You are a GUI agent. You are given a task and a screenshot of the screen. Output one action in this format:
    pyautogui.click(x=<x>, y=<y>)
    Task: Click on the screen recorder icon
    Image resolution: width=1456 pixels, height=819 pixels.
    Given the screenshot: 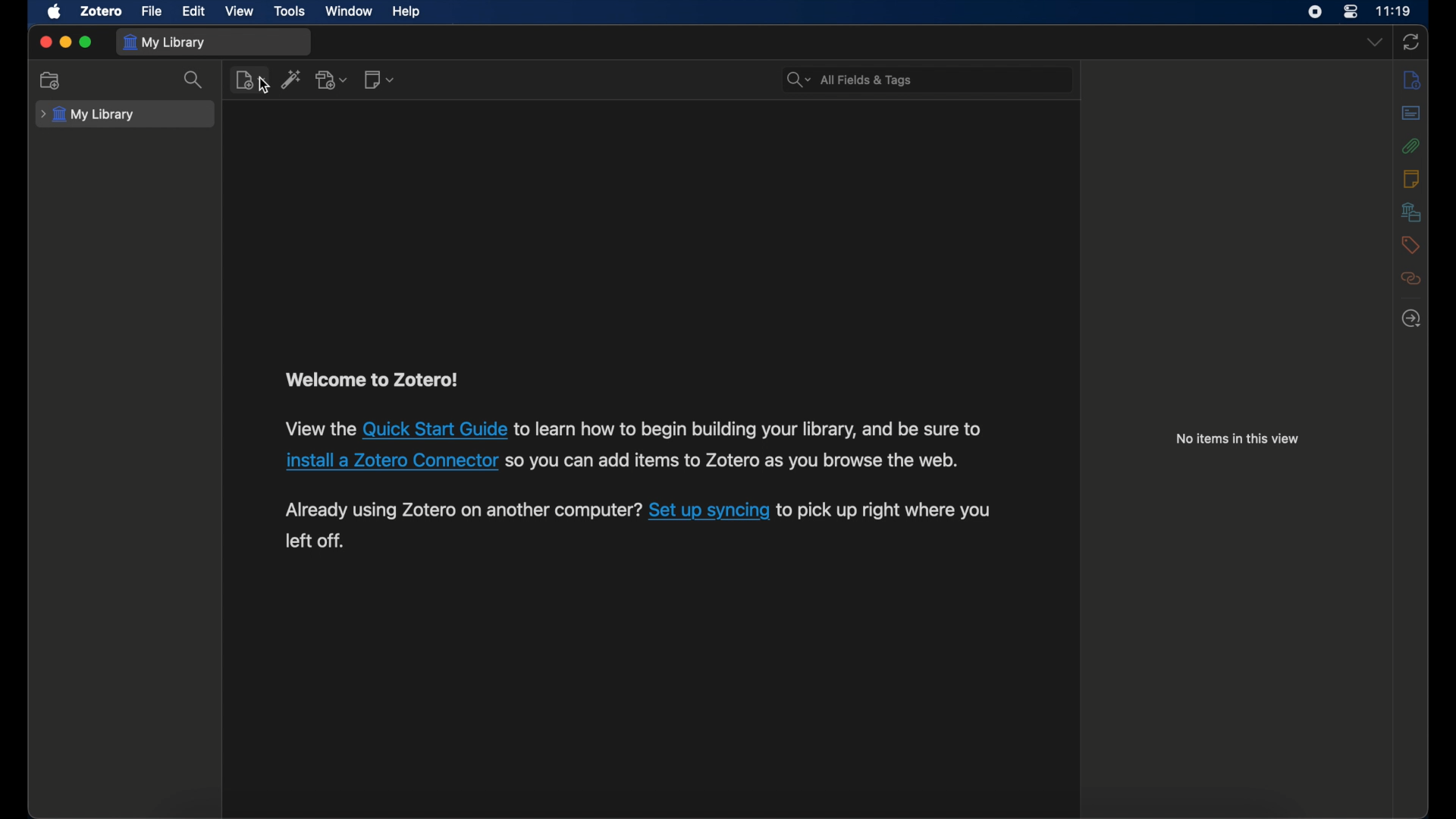 What is the action you would take?
    pyautogui.click(x=1314, y=11)
    